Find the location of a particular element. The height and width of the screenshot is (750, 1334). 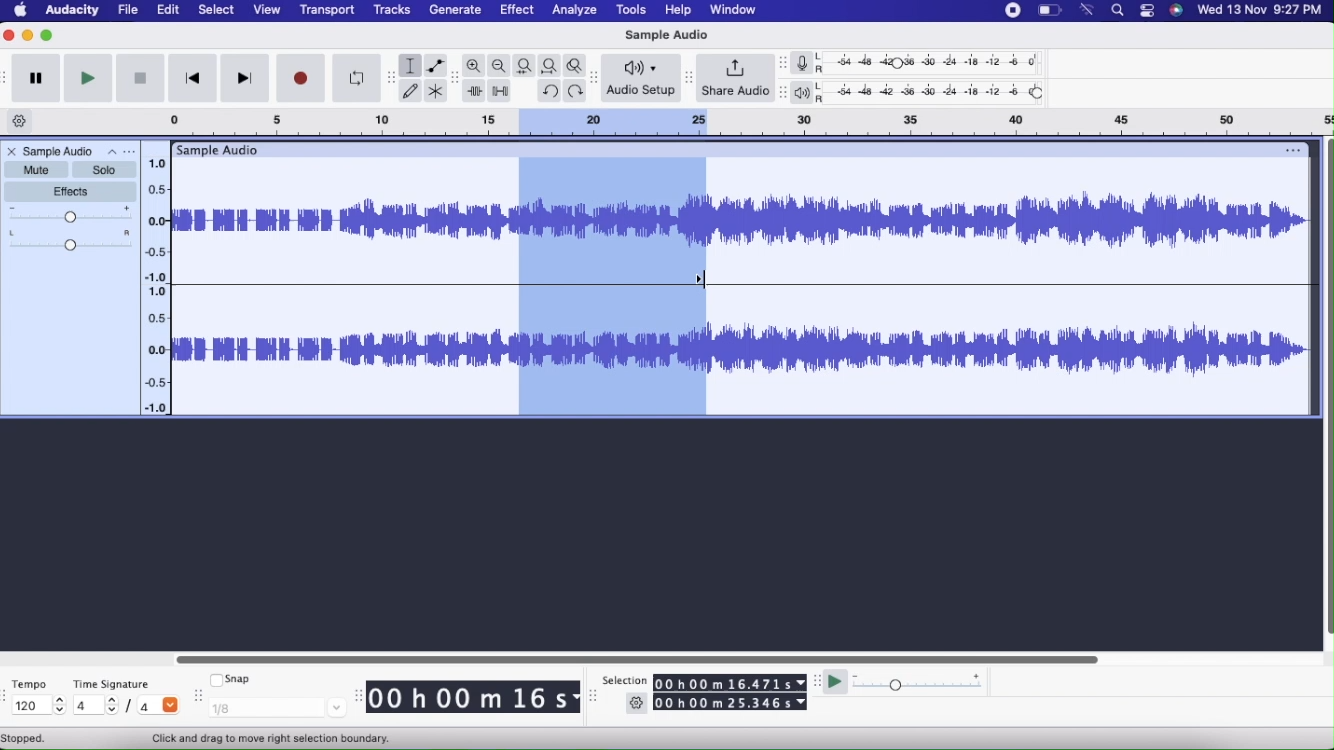

Slider is located at coordinates (635, 657).